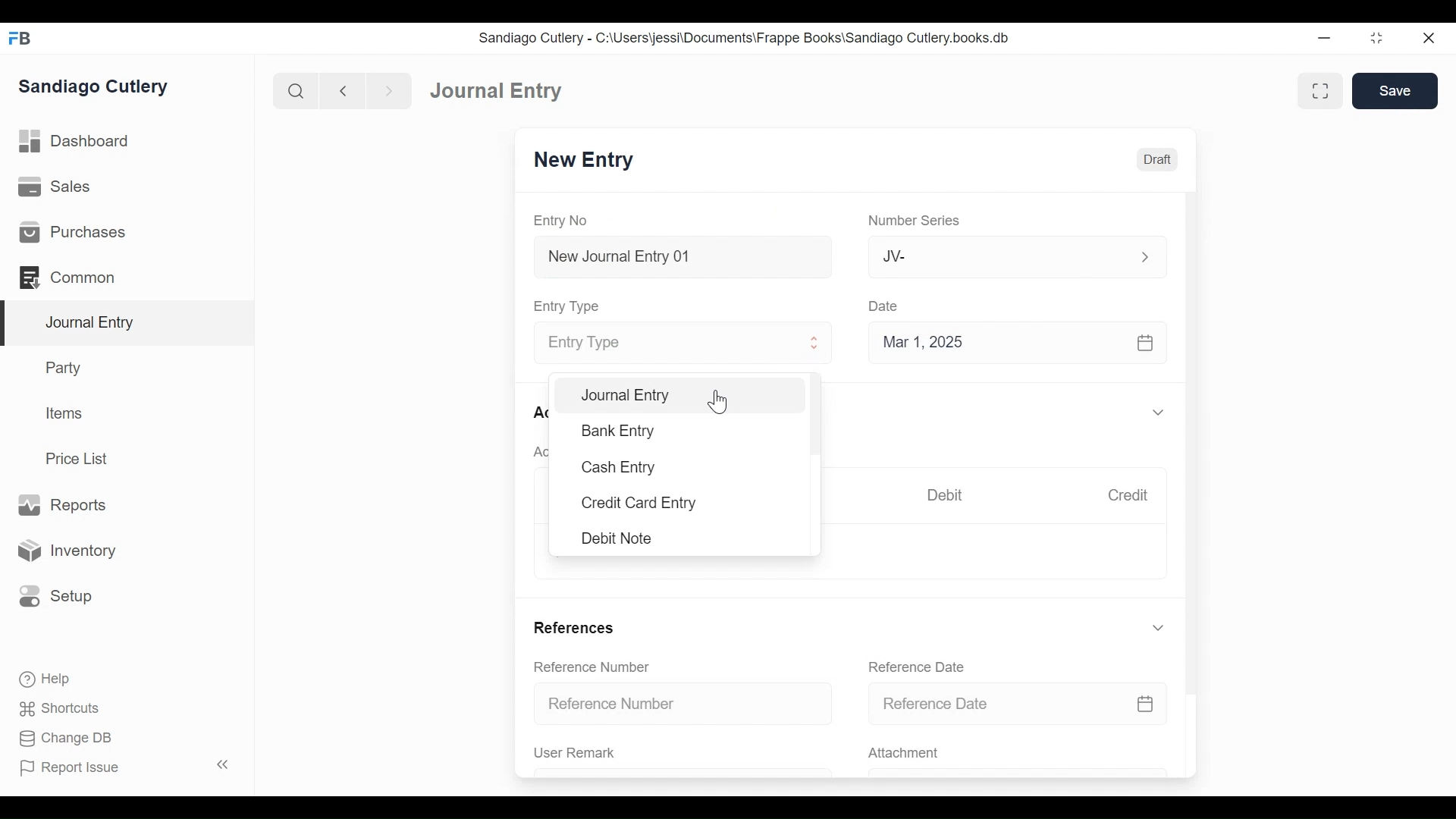 Image resolution: width=1456 pixels, height=819 pixels. What do you see at coordinates (1007, 257) in the screenshot?
I see `Jv-` at bounding box center [1007, 257].